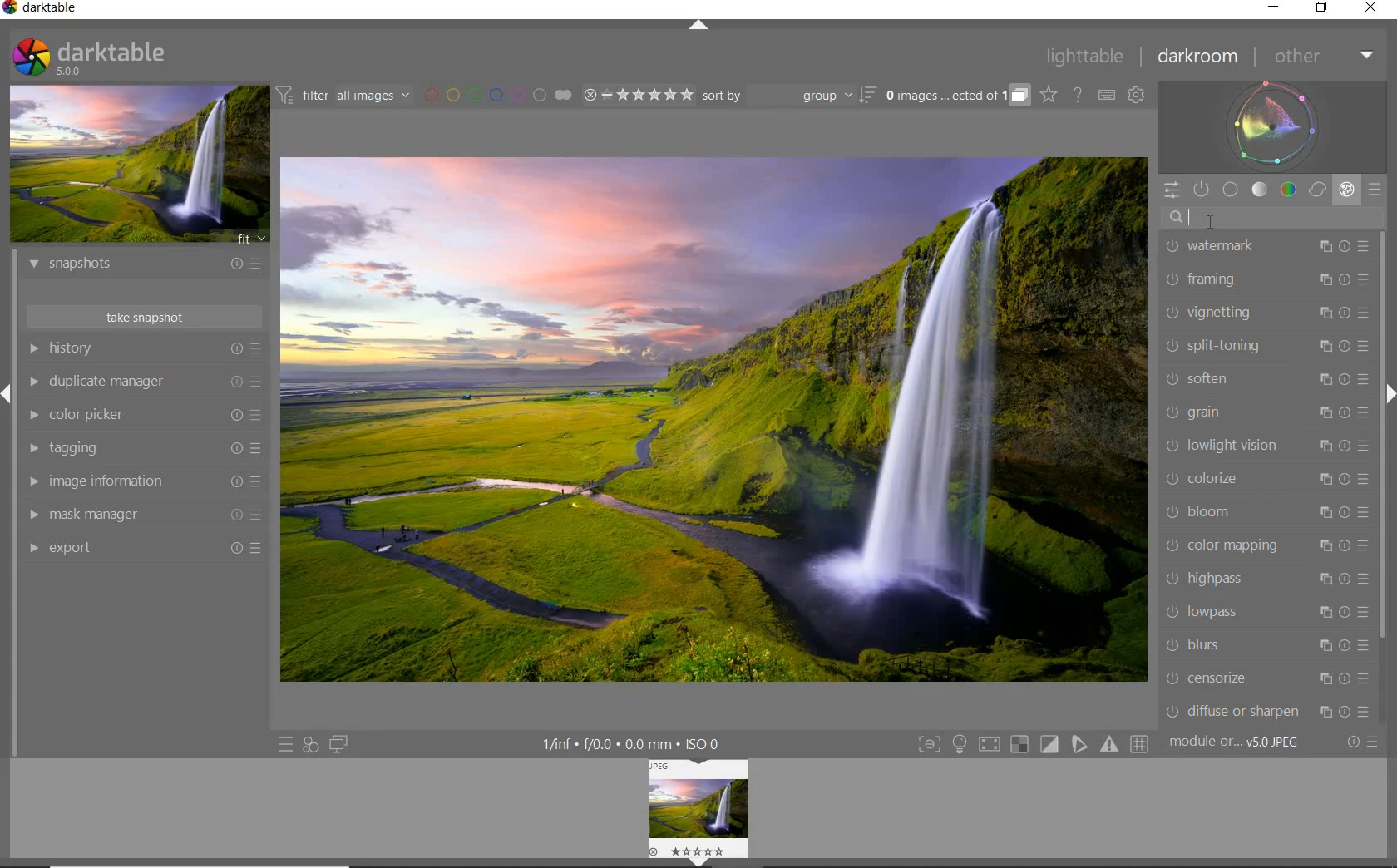  What do you see at coordinates (1376, 192) in the screenshot?
I see `preset` at bounding box center [1376, 192].